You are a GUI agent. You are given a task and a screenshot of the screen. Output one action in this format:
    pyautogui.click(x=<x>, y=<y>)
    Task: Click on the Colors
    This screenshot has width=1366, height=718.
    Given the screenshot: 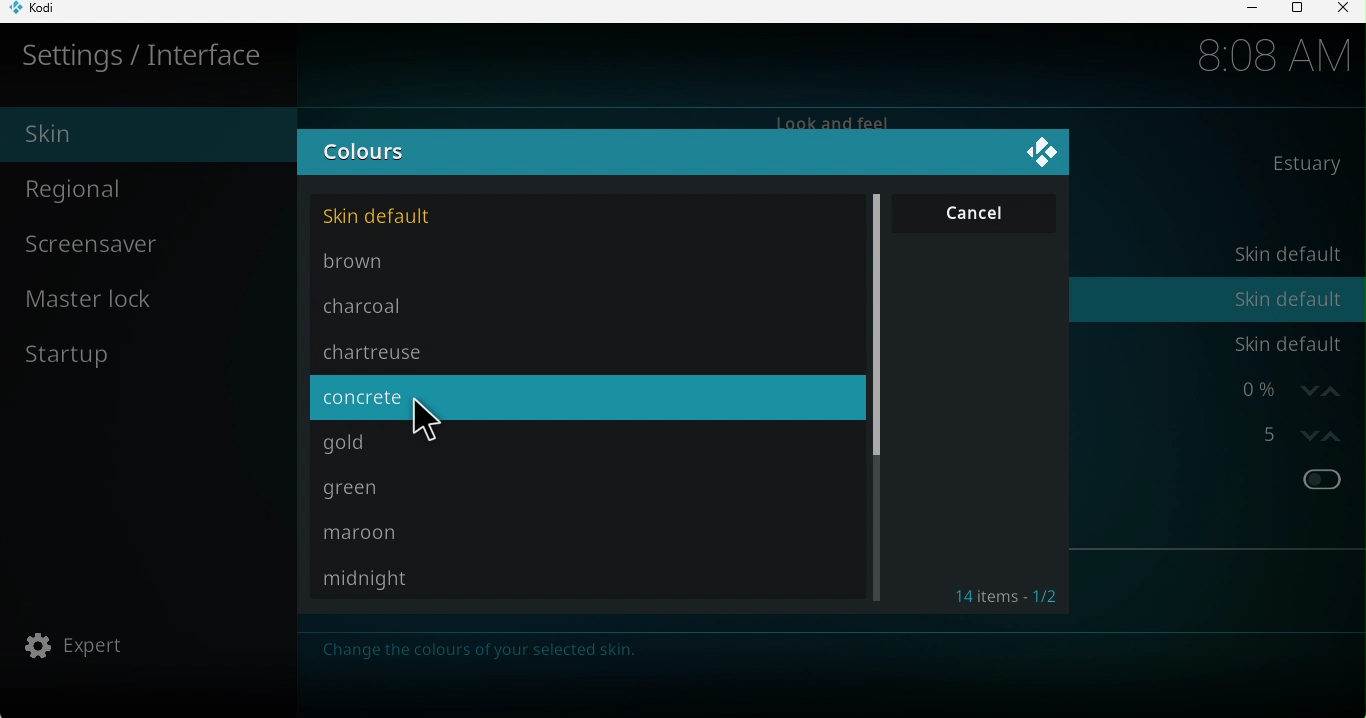 What is the action you would take?
    pyautogui.click(x=1218, y=299)
    